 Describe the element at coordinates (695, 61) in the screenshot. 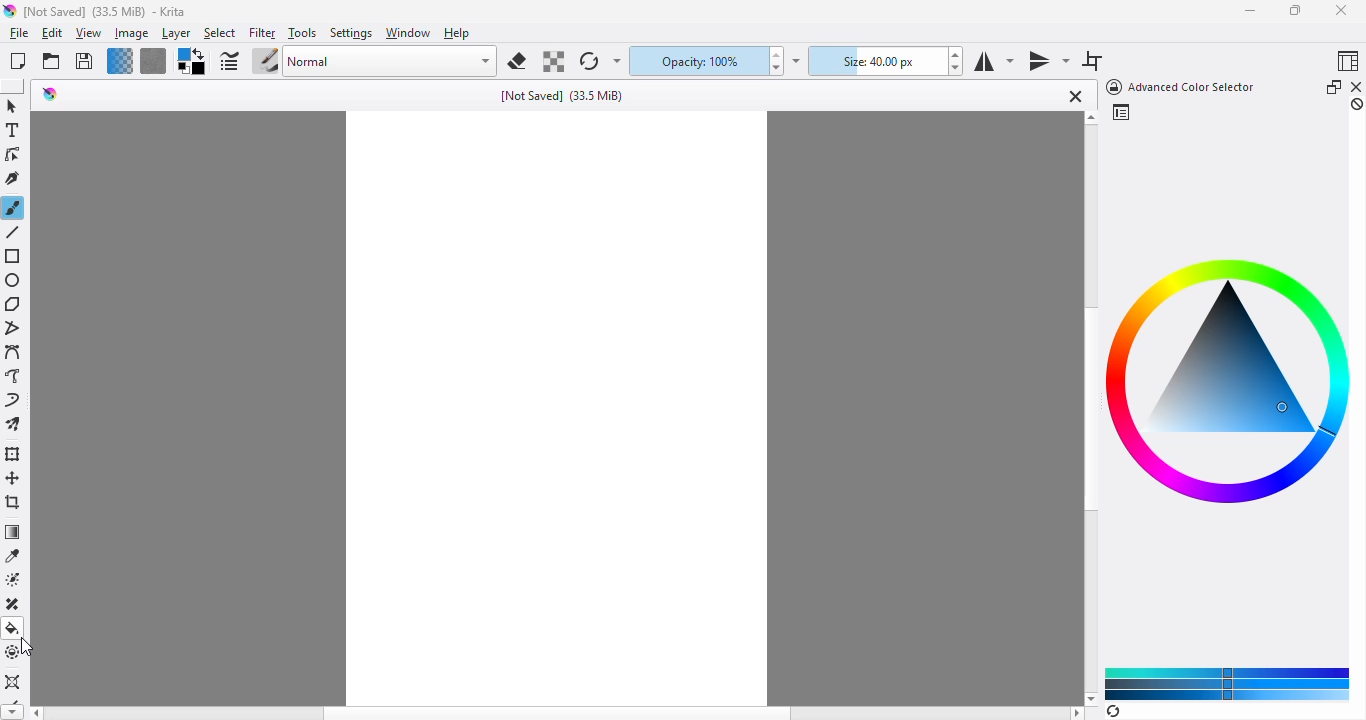

I see `opacity` at that location.